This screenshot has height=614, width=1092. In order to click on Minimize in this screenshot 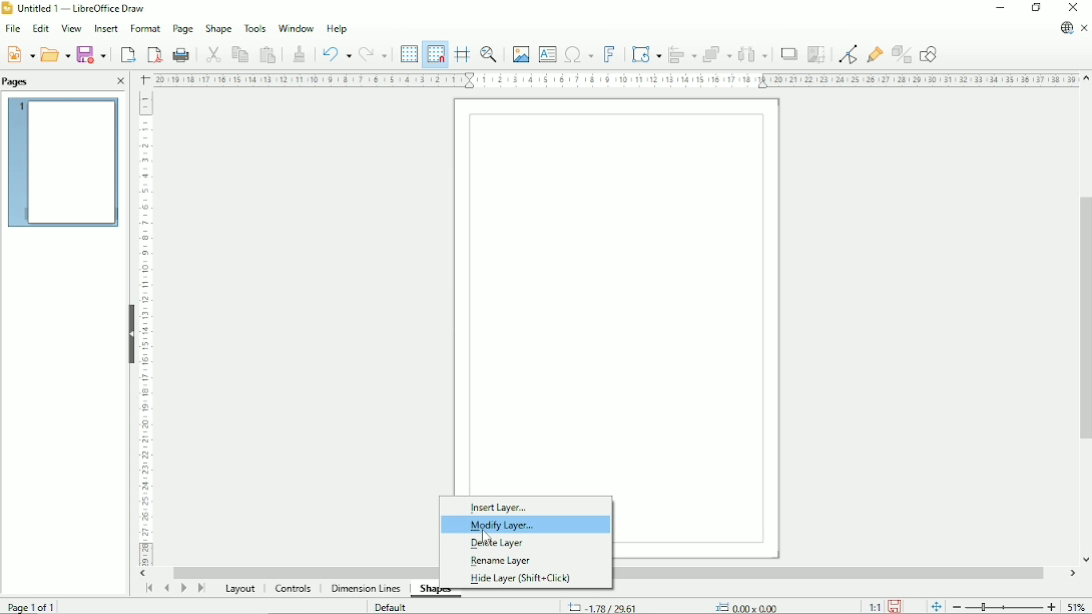, I will do `click(999, 9)`.